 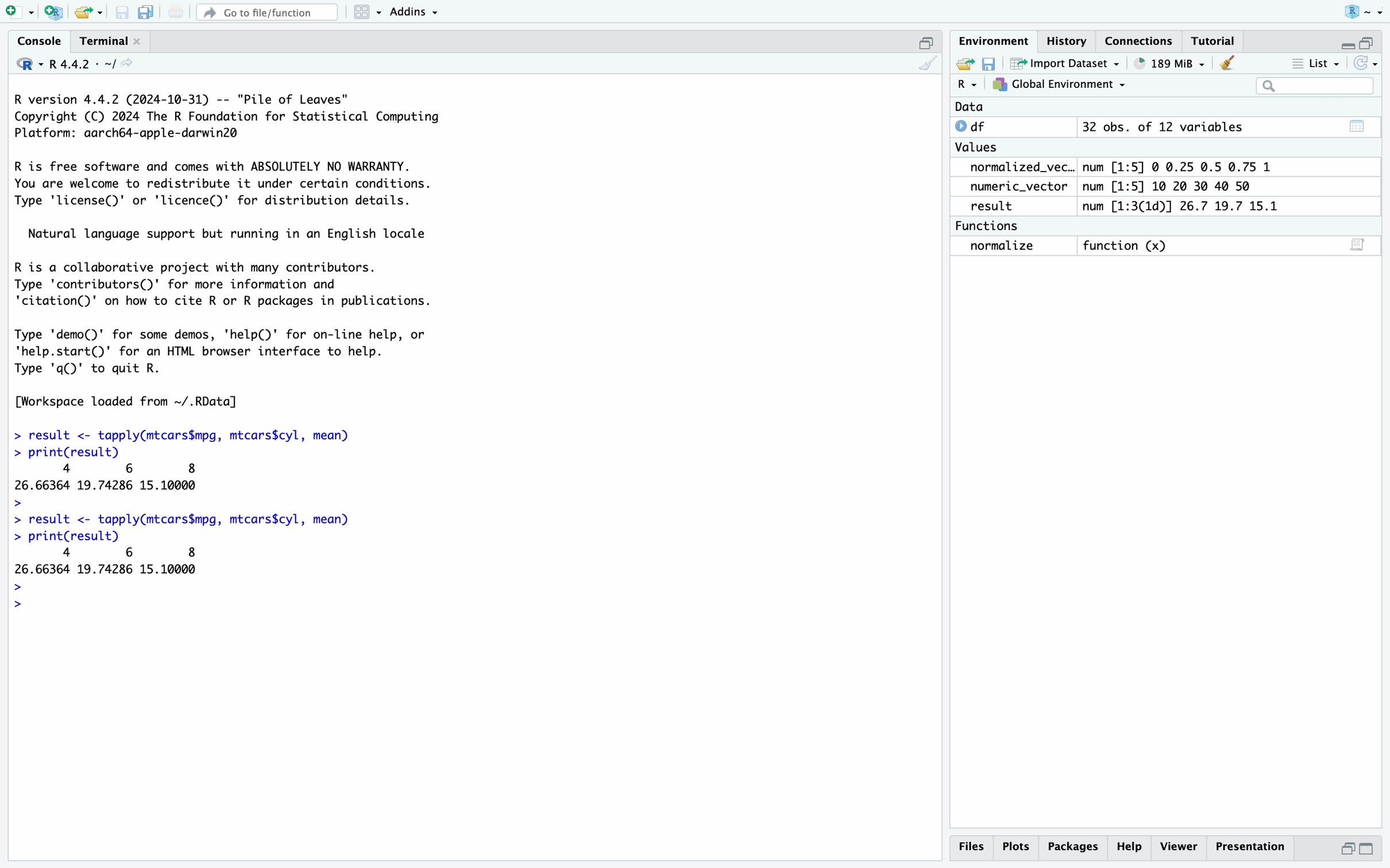 What do you see at coordinates (367, 12) in the screenshot?
I see `Workspace panes` at bounding box center [367, 12].